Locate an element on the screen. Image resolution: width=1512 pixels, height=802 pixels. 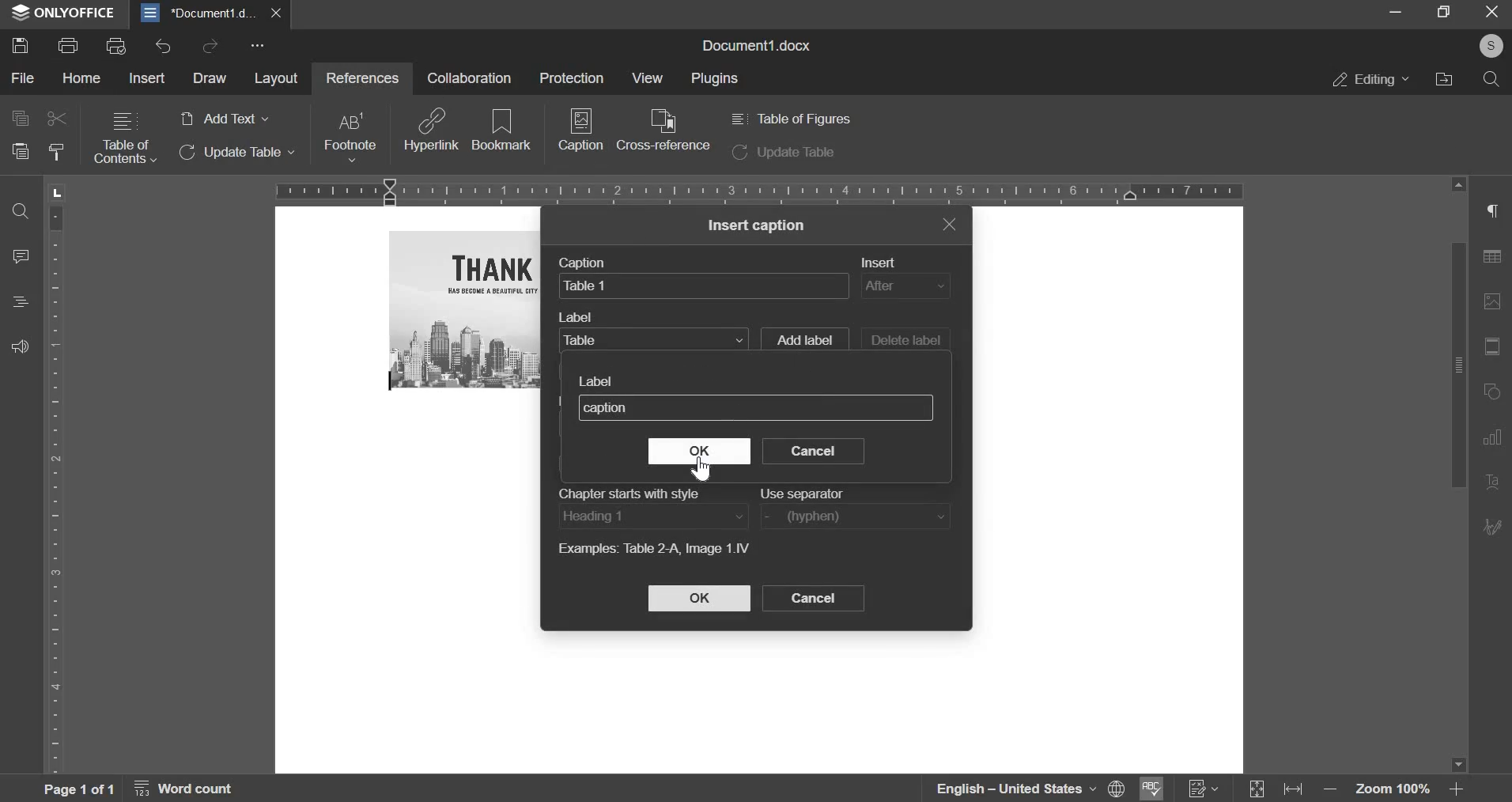
Label is located at coordinates (596, 381).